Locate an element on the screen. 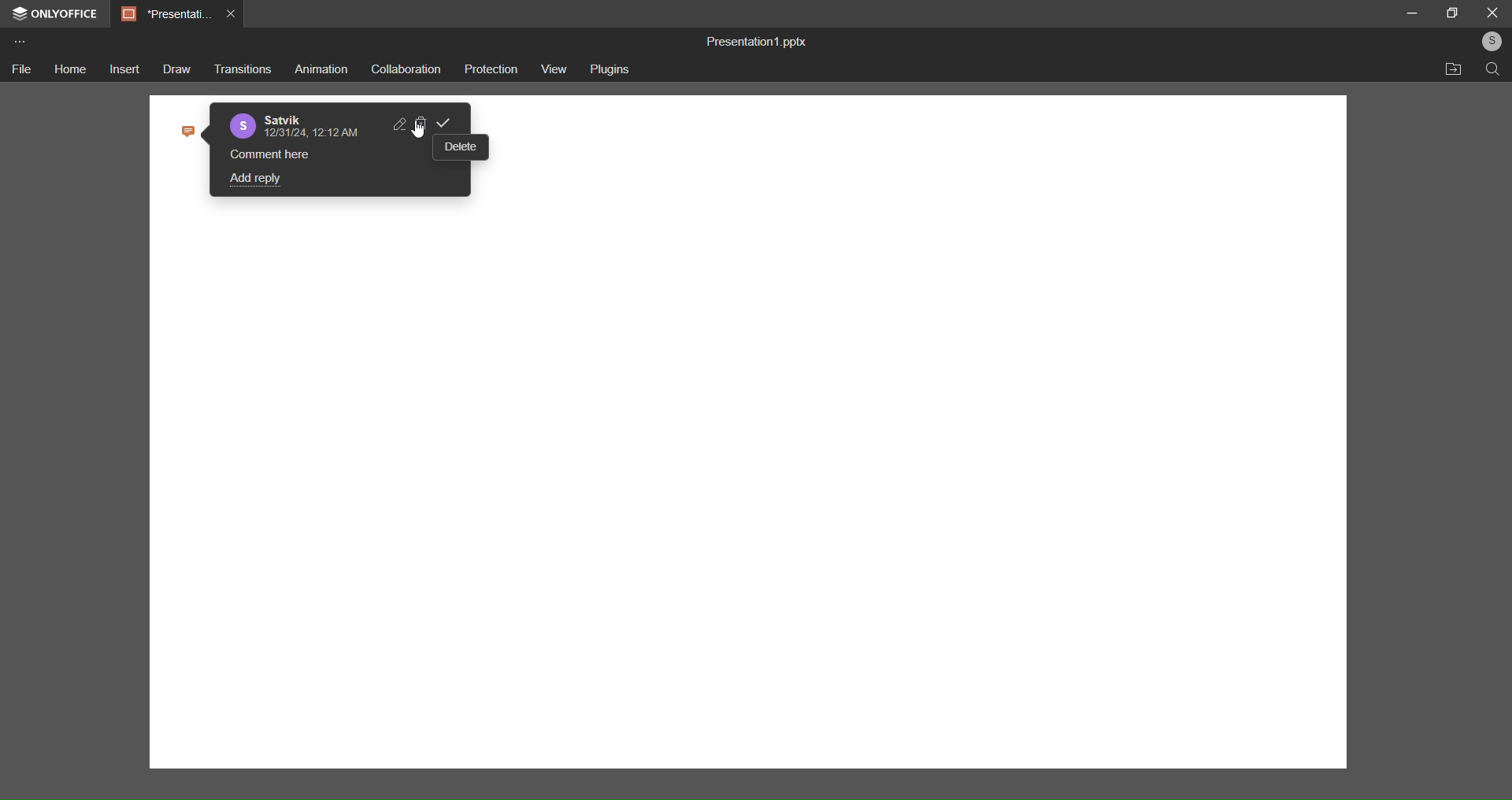 The width and height of the screenshot is (1512, 800). comment here is located at coordinates (269, 155).